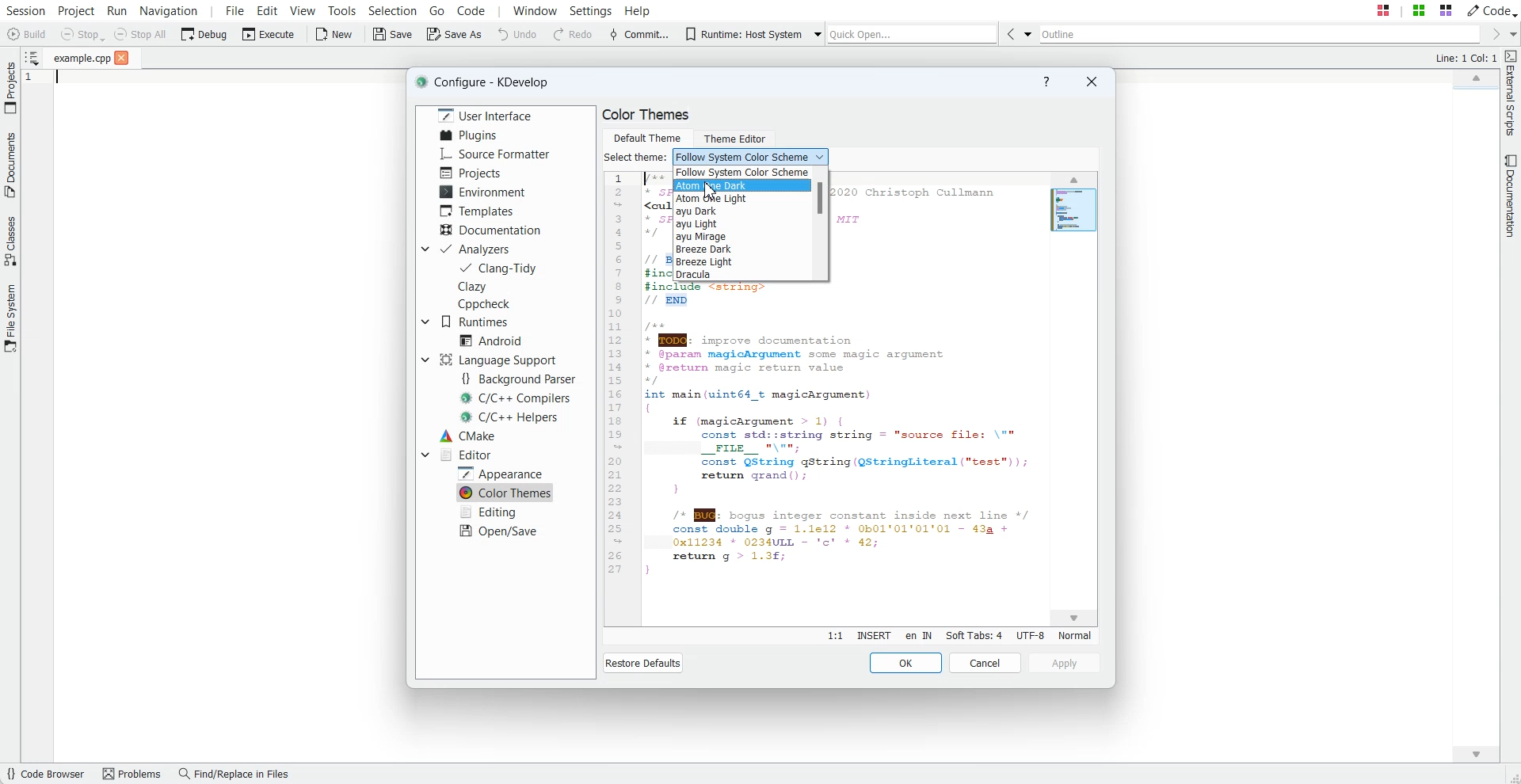 This screenshot has height=784, width=1521. What do you see at coordinates (638, 36) in the screenshot?
I see `Commit` at bounding box center [638, 36].